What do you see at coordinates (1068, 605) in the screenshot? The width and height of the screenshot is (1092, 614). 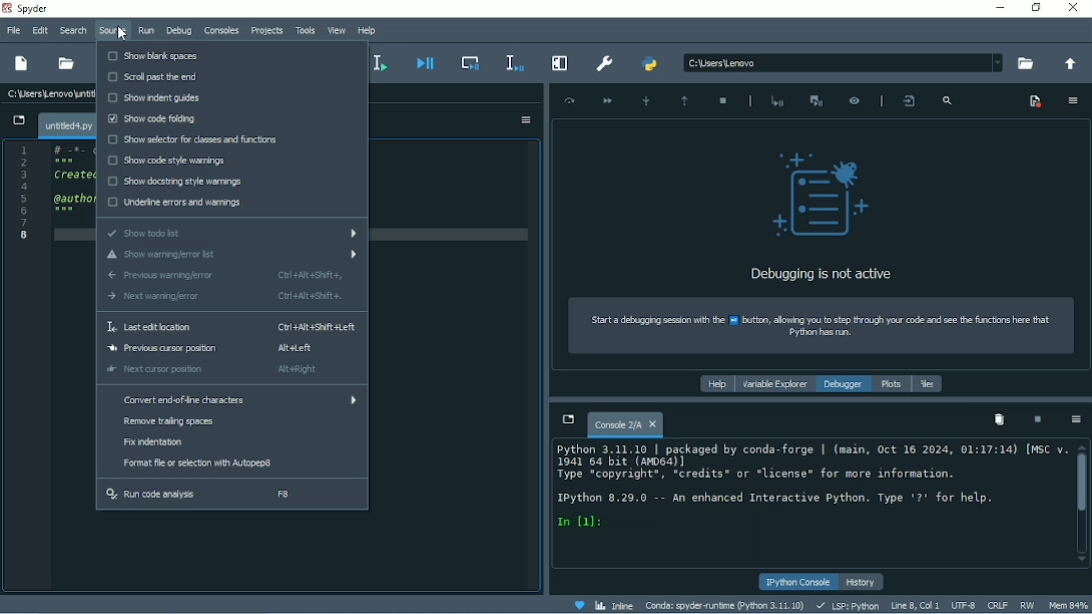 I see `Mem` at bounding box center [1068, 605].